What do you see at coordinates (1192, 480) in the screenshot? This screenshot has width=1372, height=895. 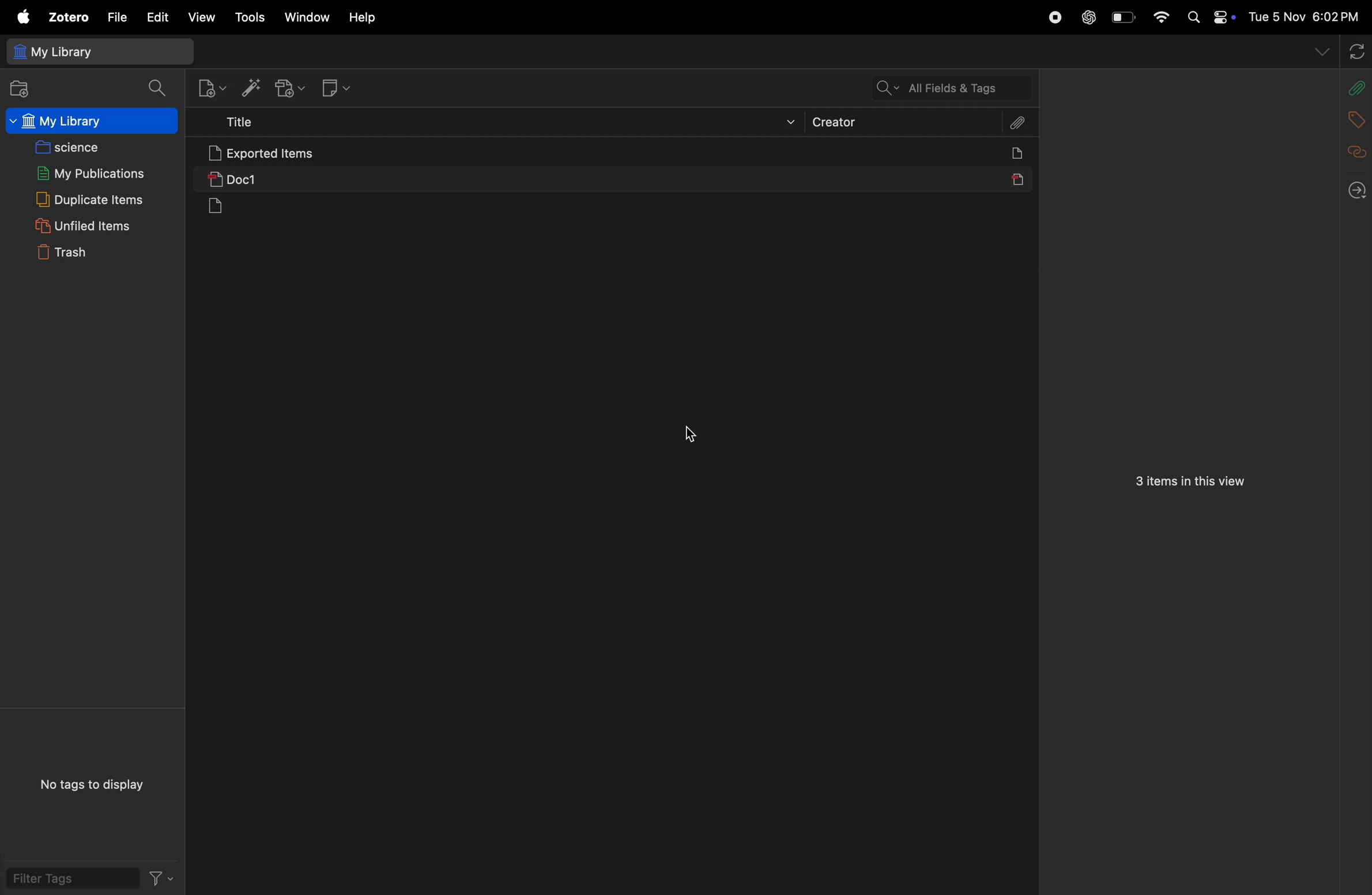 I see `3 items in a view` at bounding box center [1192, 480].